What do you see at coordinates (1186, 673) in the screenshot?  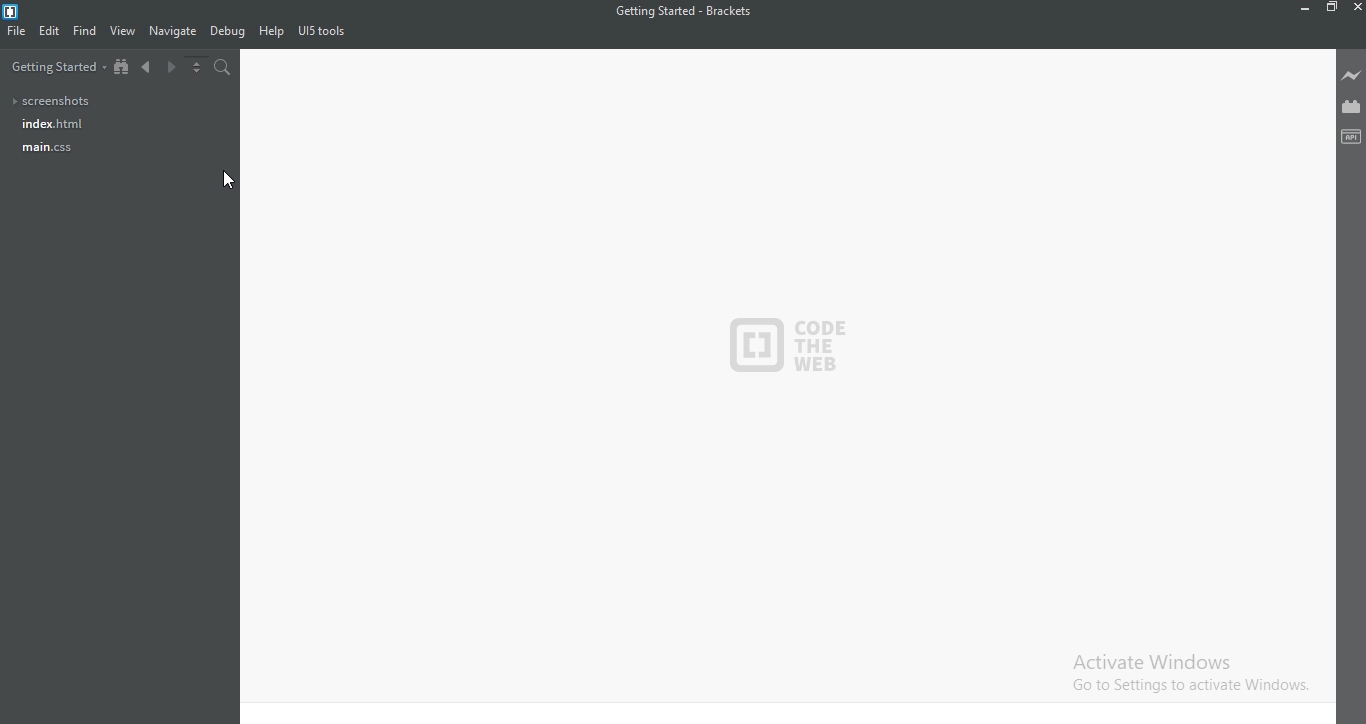 I see `Activate Windows
Go to Settings to activate Windows.` at bounding box center [1186, 673].